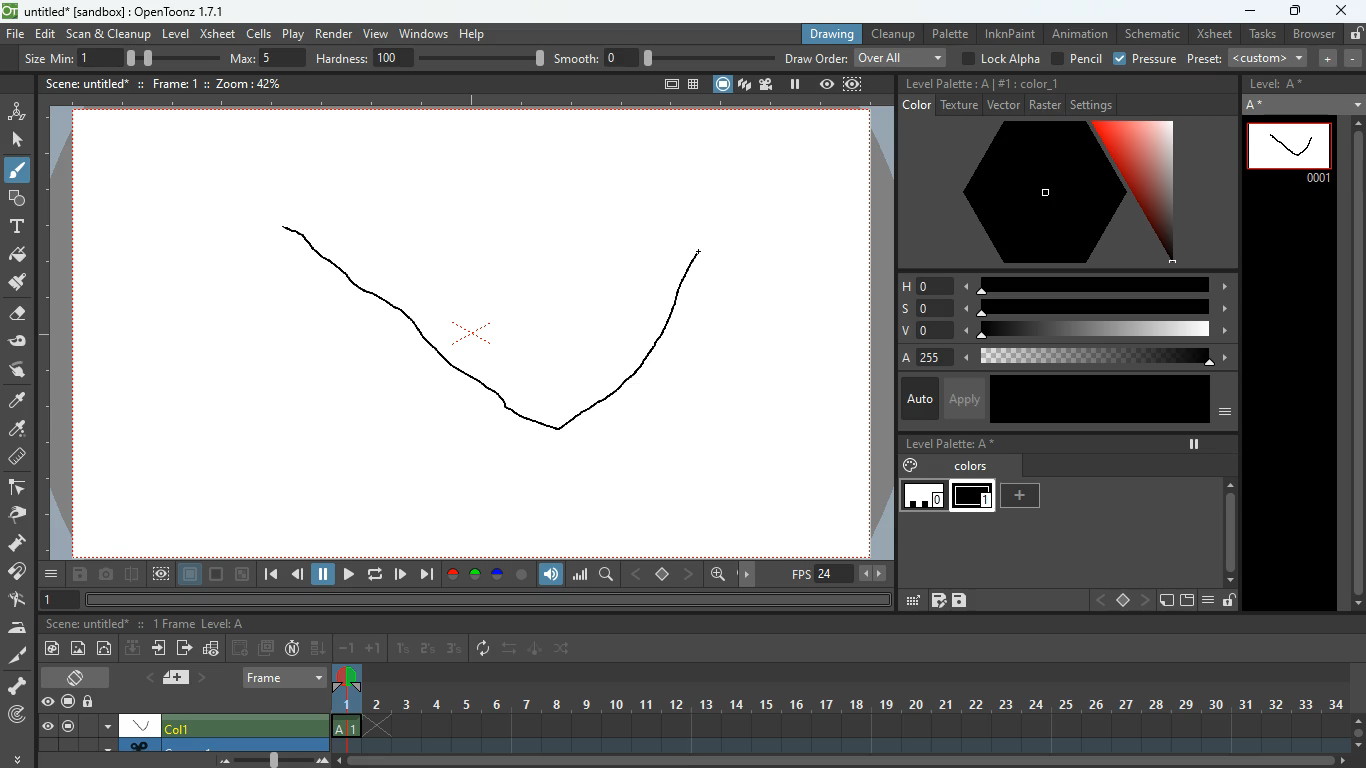  Describe the element at coordinates (243, 575) in the screenshot. I see `size` at that location.